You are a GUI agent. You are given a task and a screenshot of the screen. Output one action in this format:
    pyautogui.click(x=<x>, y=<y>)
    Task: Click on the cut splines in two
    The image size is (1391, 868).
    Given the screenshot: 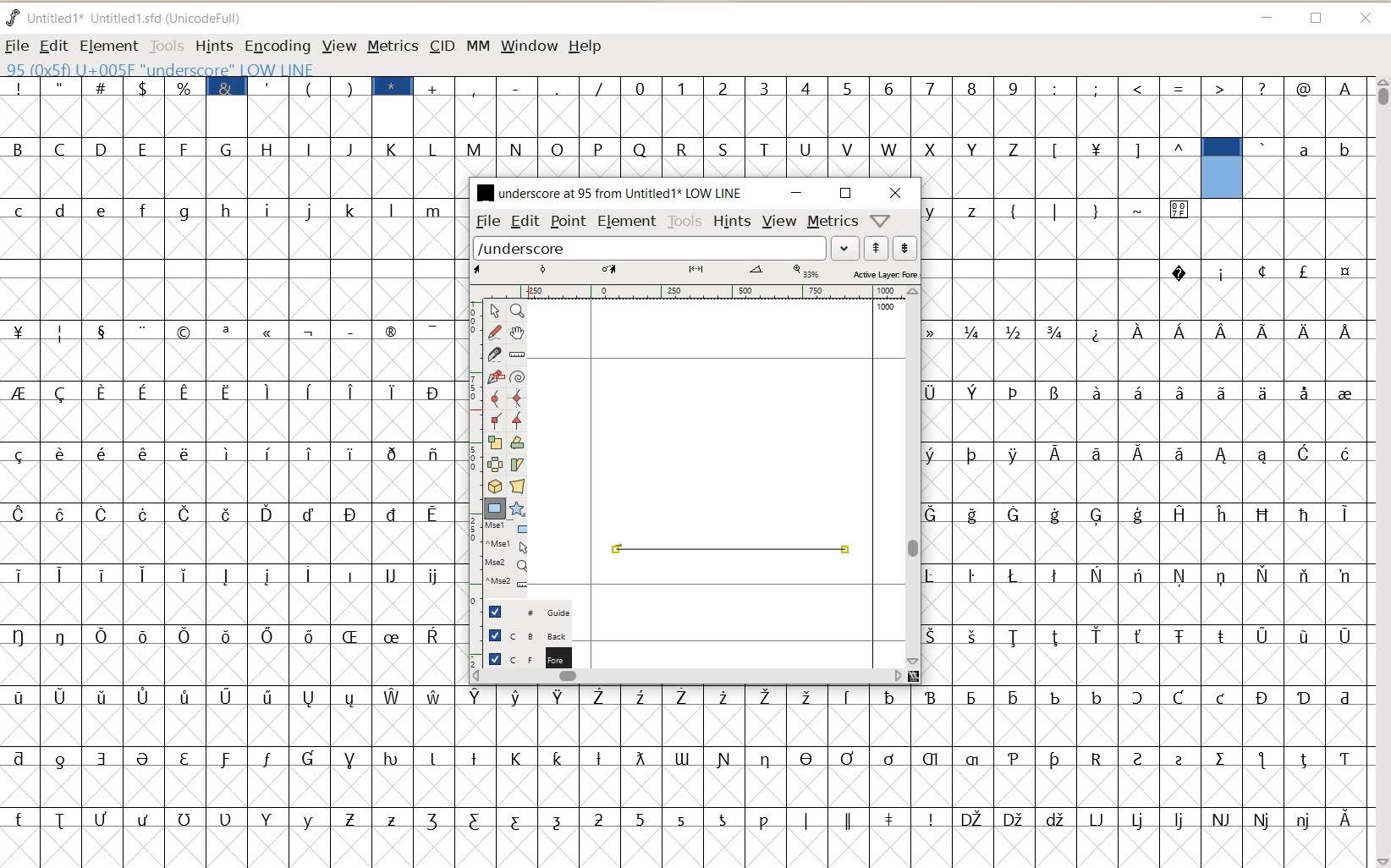 What is the action you would take?
    pyautogui.click(x=492, y=354)
    